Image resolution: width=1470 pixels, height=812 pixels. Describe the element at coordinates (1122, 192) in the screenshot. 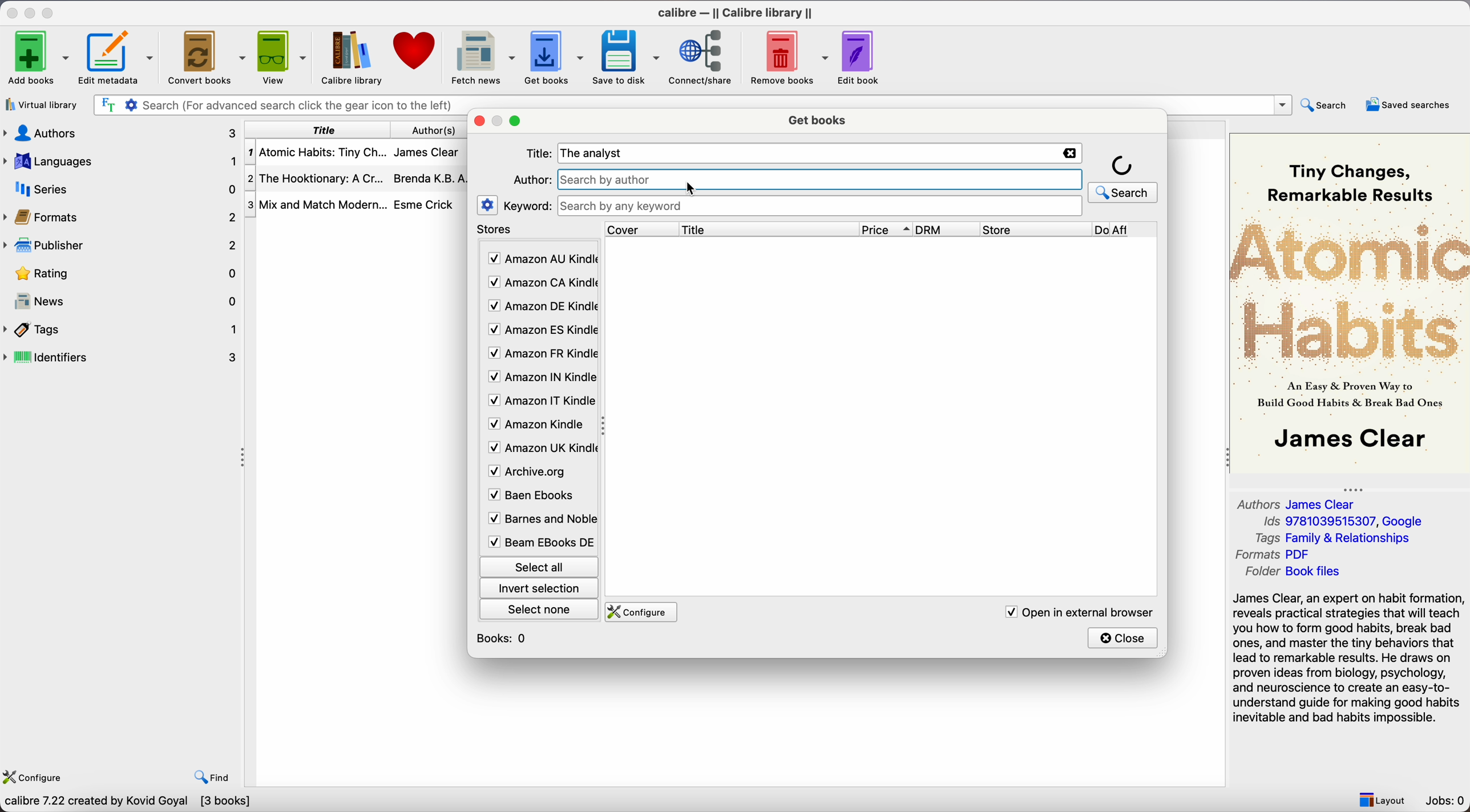

I see `search` at that location.